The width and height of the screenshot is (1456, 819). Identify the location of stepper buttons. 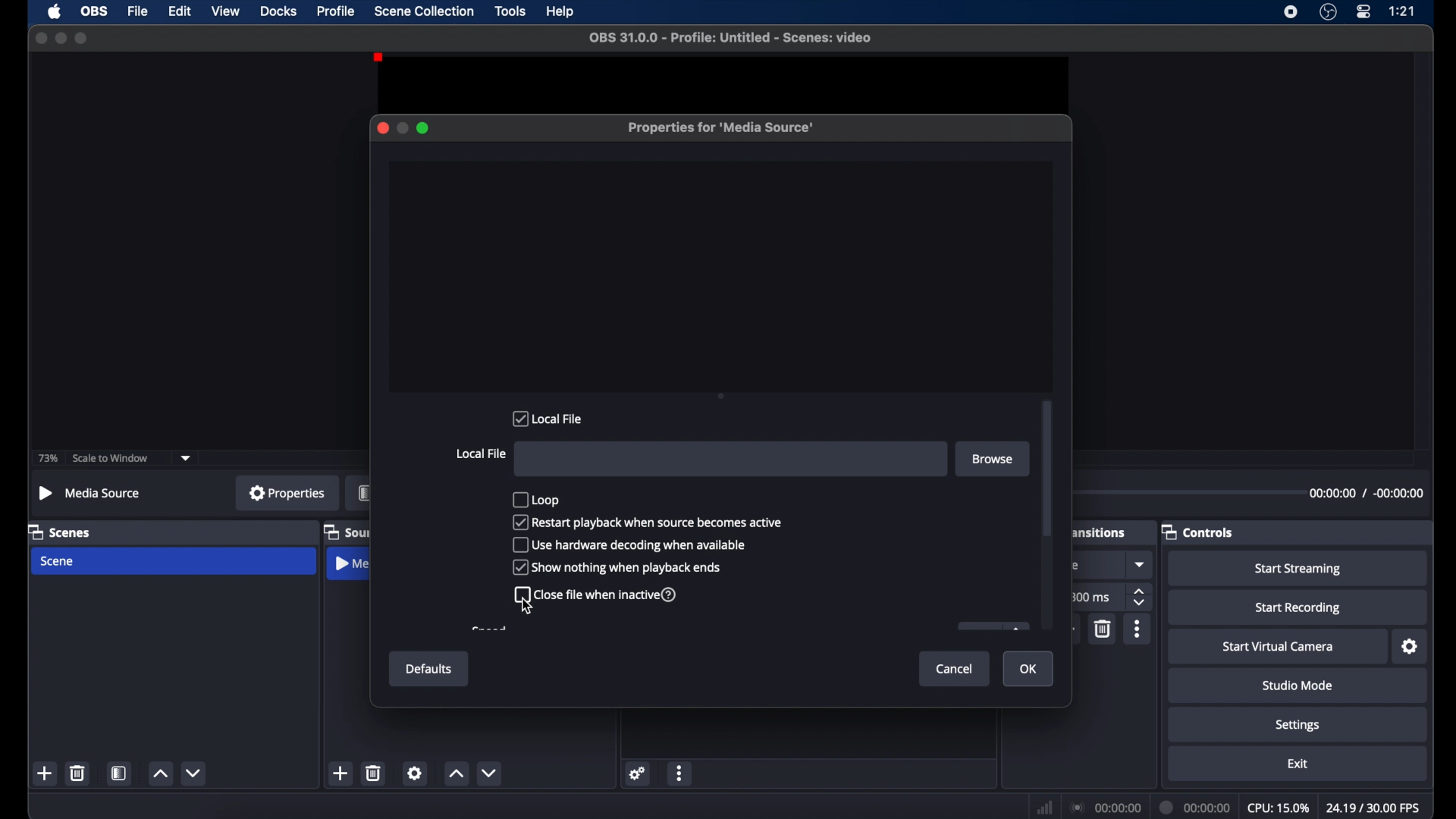
(1141, 598).